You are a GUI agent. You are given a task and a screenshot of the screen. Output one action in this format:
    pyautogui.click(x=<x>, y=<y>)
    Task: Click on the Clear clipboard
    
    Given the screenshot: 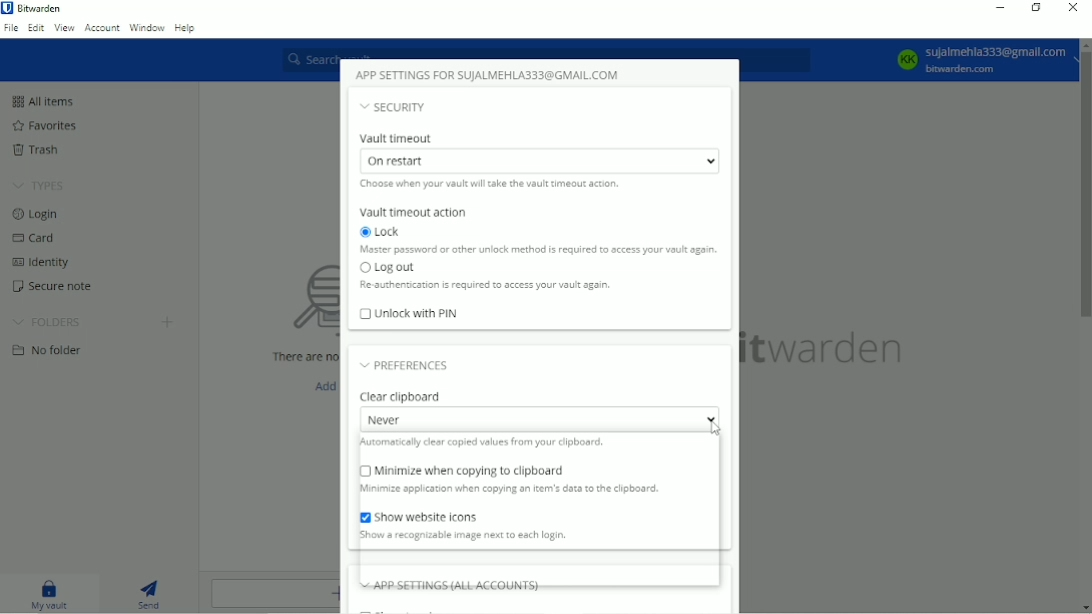 What is the action you would take?
    pyautogui.click(x=404, y=395)
    